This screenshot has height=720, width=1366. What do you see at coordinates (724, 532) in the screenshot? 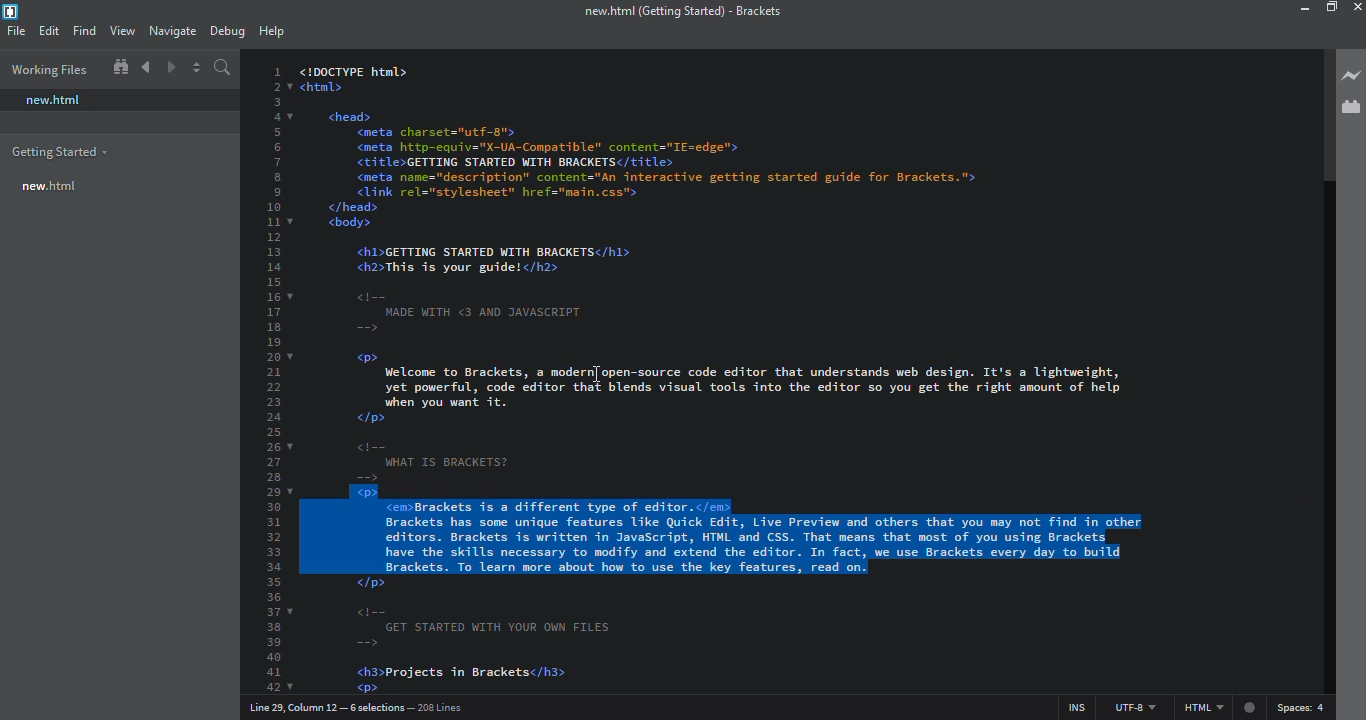
I see `split selection into line` at bounding box center [724, 532].